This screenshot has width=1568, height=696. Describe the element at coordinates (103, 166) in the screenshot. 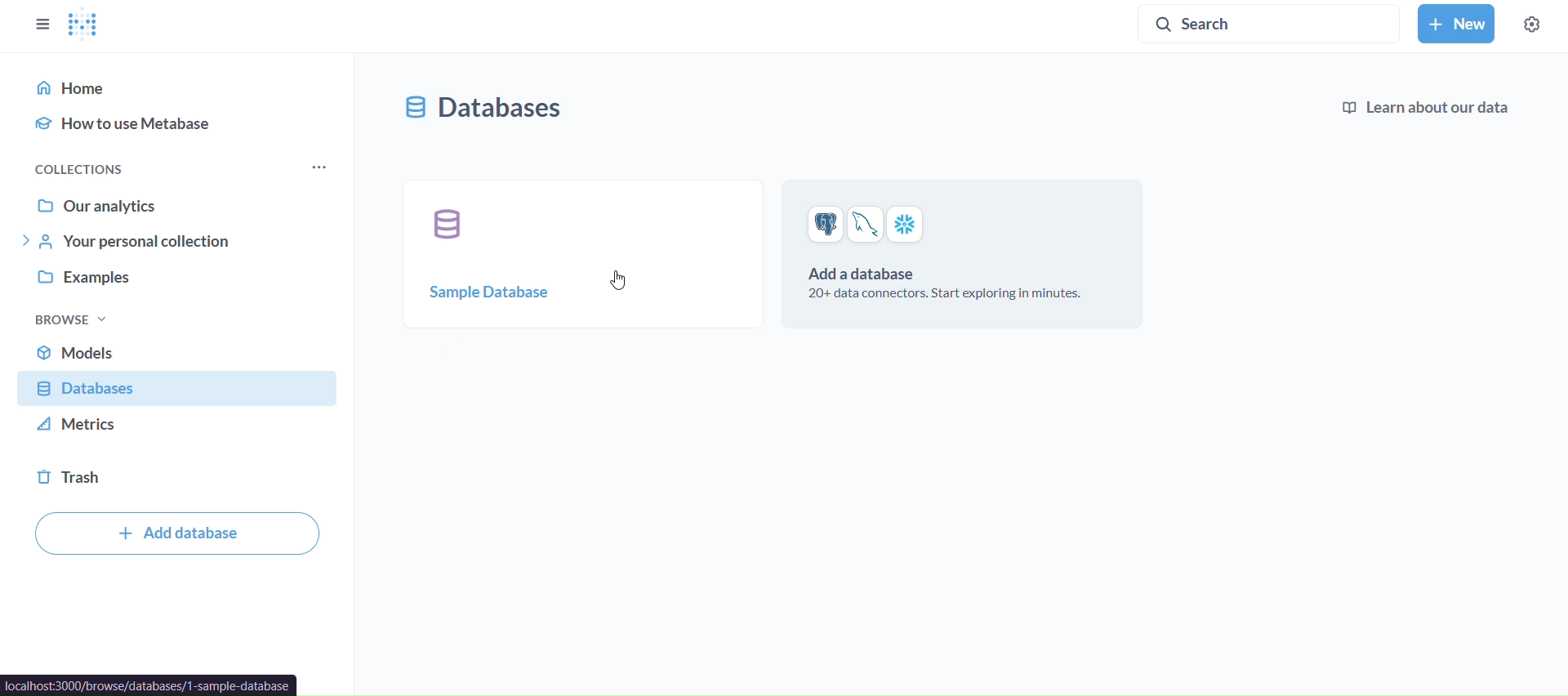

I see `collections` at that location.